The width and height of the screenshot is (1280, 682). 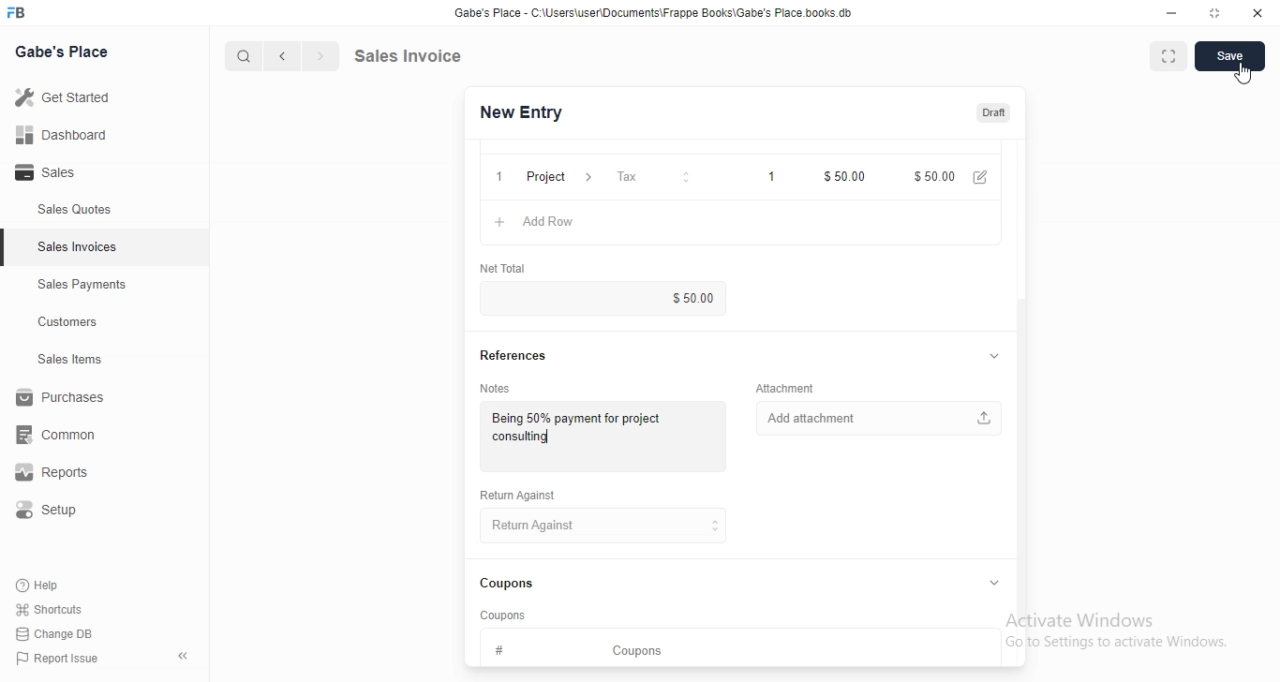 What do you see at coordinates (61, 608) in the screenshot?
I see `Shortcuts` at bounding box center [61, 608].